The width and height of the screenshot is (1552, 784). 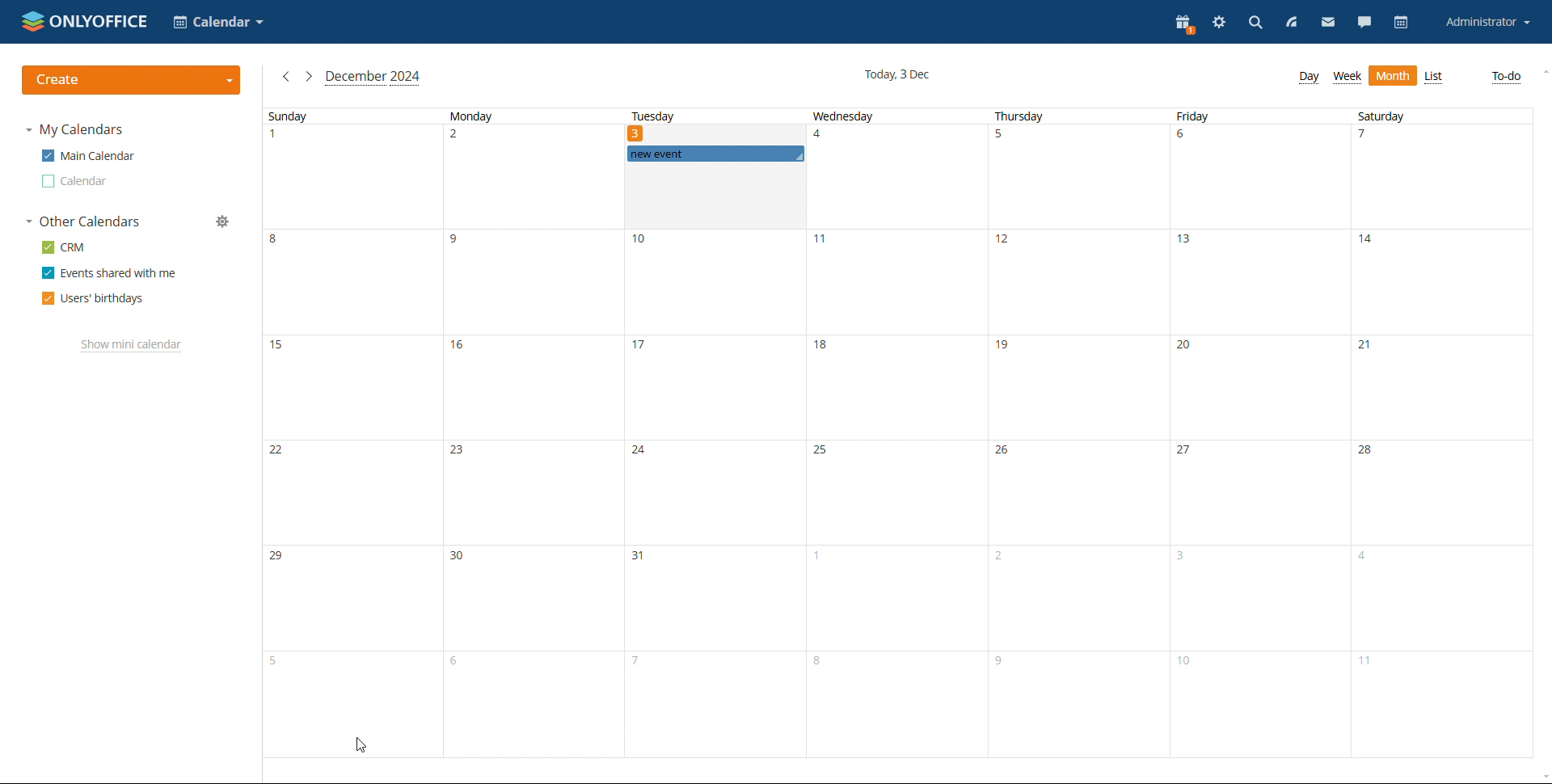 What do you see at coordinates (1254, 23) in the screenshot?
I see `search` at bounding box center [1254, 23].